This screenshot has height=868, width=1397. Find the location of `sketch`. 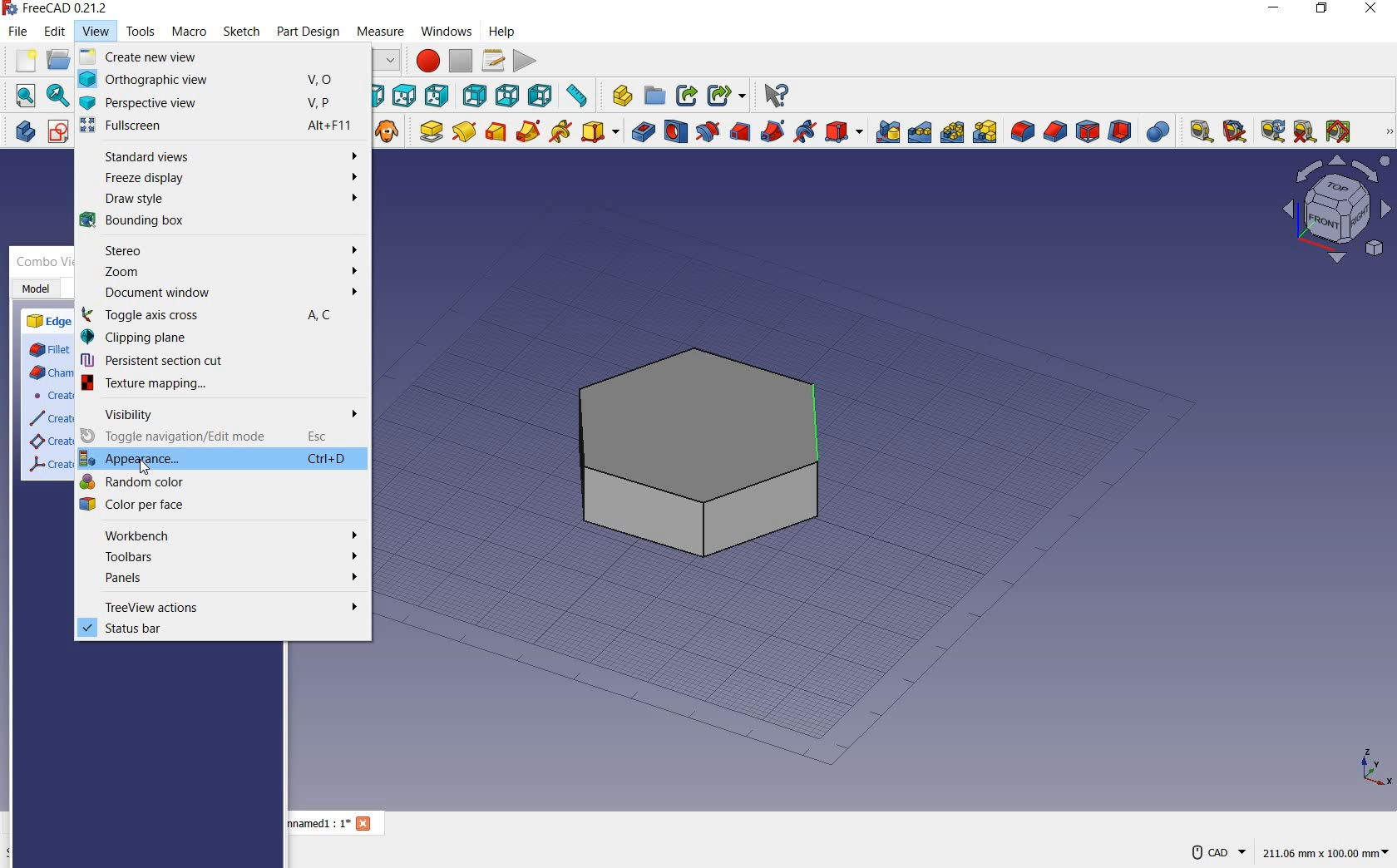

sketch is located at coordinates (240, 32).